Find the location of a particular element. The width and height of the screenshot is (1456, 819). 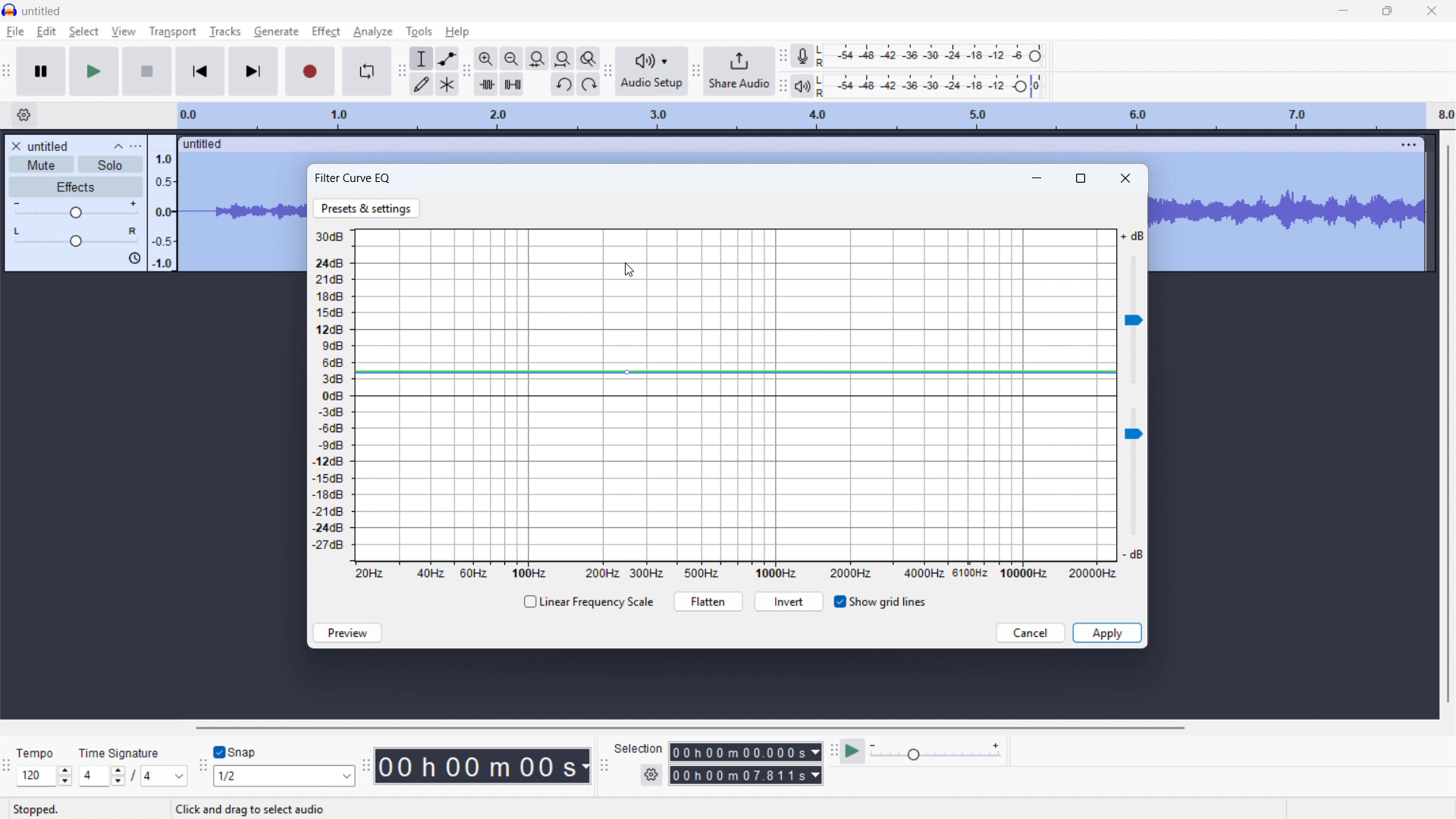

Selection tool  is located at coordinates (422, 58).